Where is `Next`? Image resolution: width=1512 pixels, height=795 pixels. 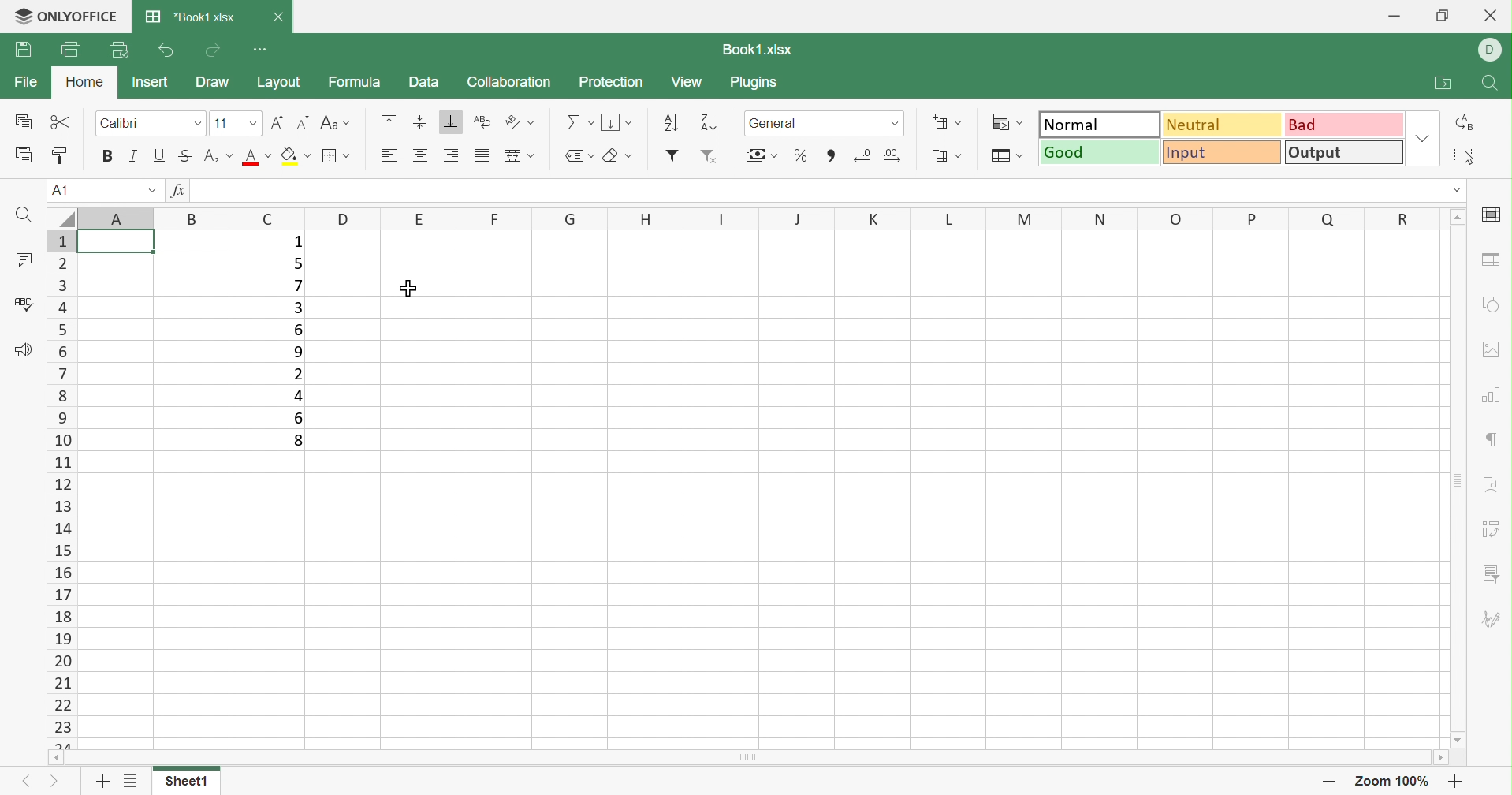 Next is located at coordinates (56, 782).